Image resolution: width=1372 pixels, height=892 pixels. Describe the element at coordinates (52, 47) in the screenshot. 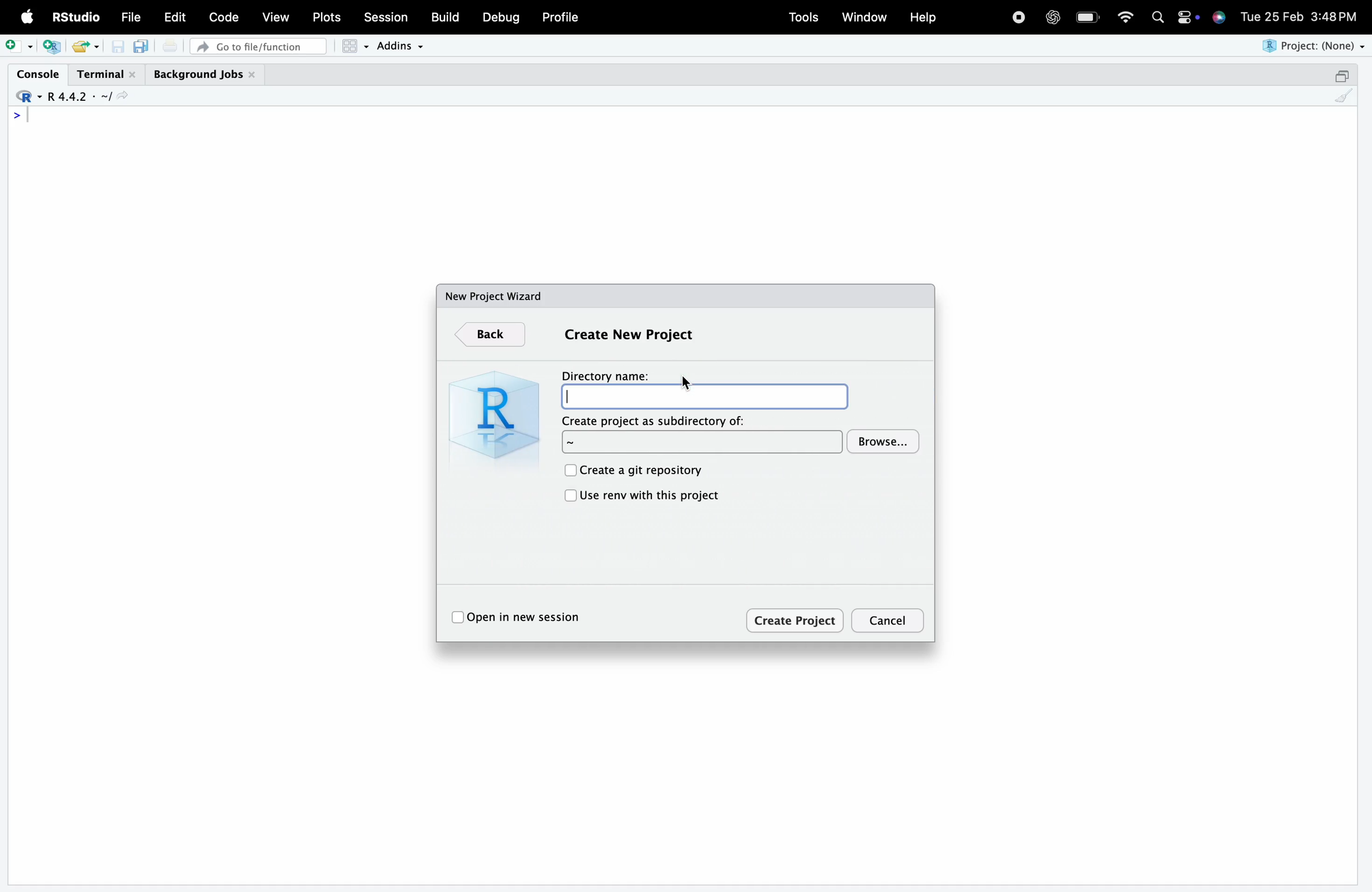

I see `create a project` at that location.